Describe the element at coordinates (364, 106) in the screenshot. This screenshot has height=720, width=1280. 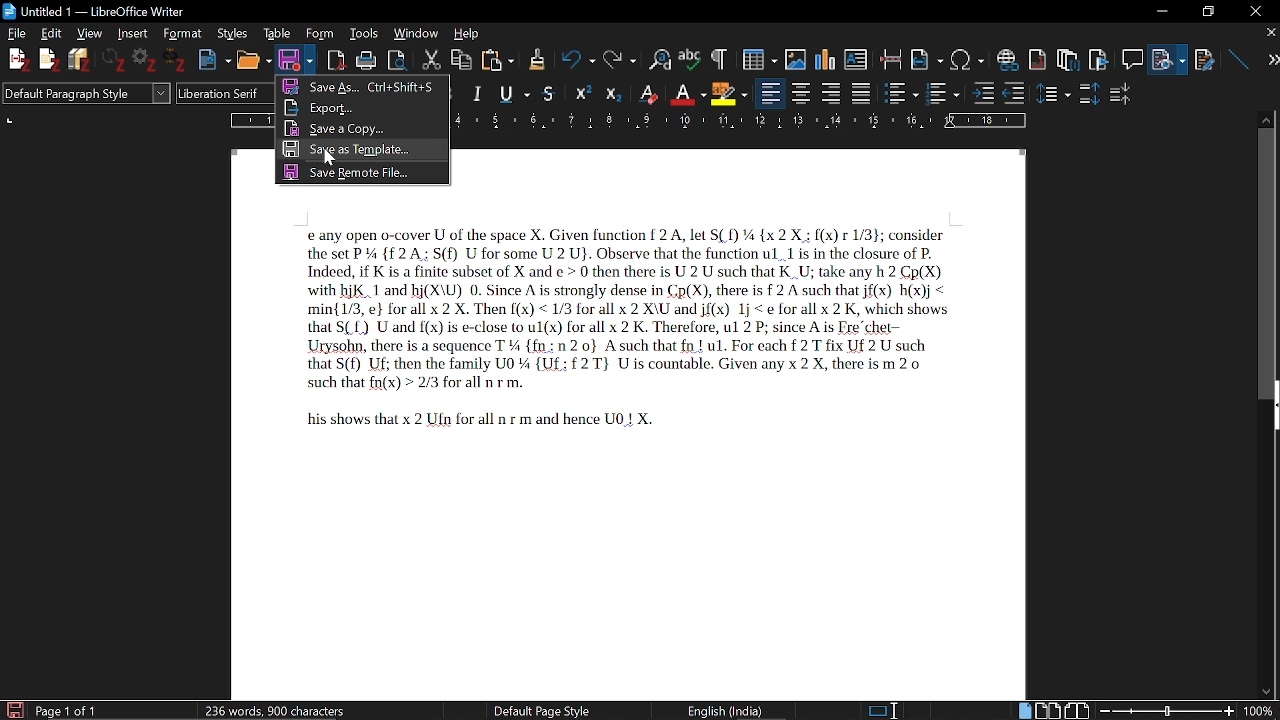
I see `Export` at that location.